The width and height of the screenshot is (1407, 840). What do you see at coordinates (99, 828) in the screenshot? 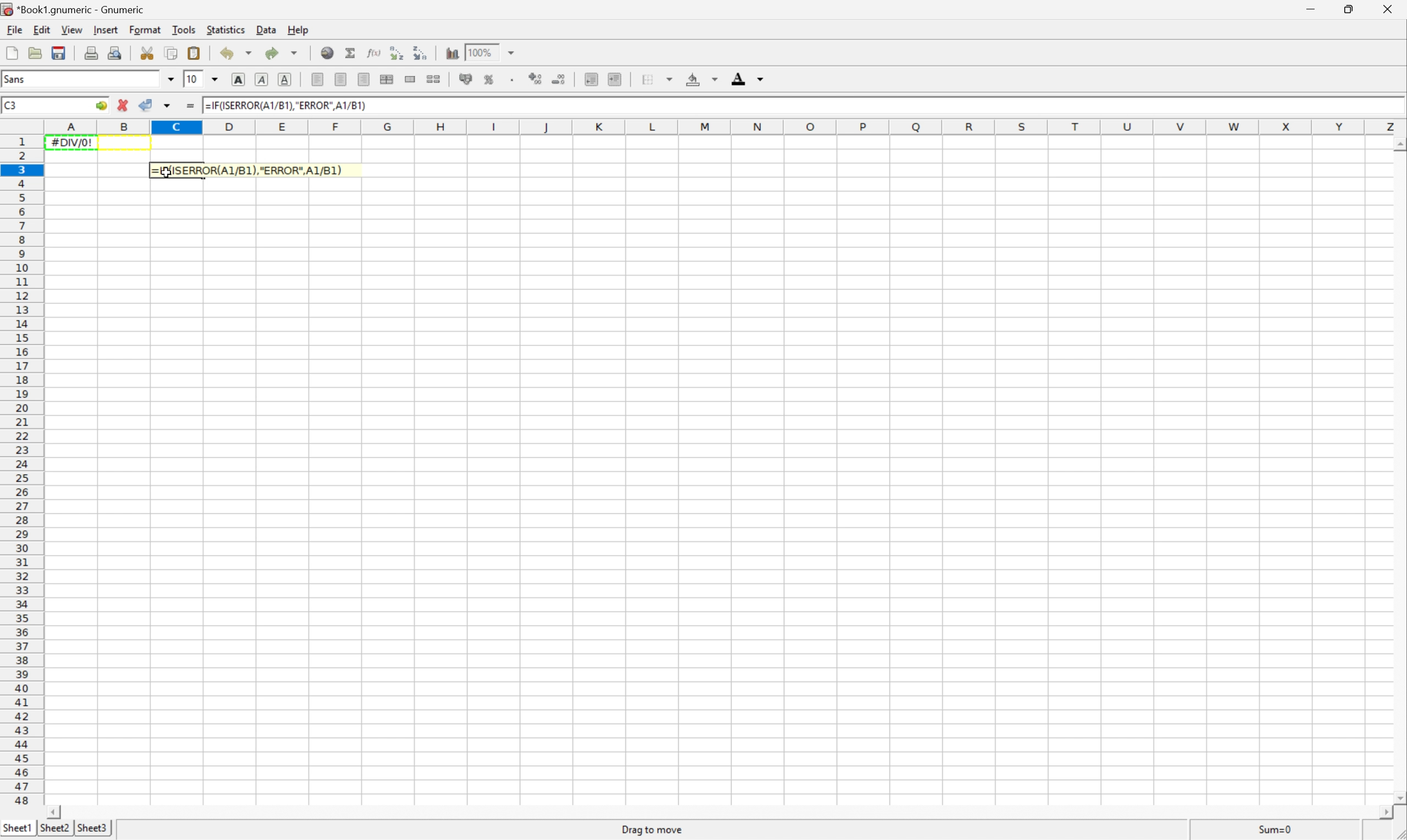
I see `Sheet3` at bounding box center [99, 828].